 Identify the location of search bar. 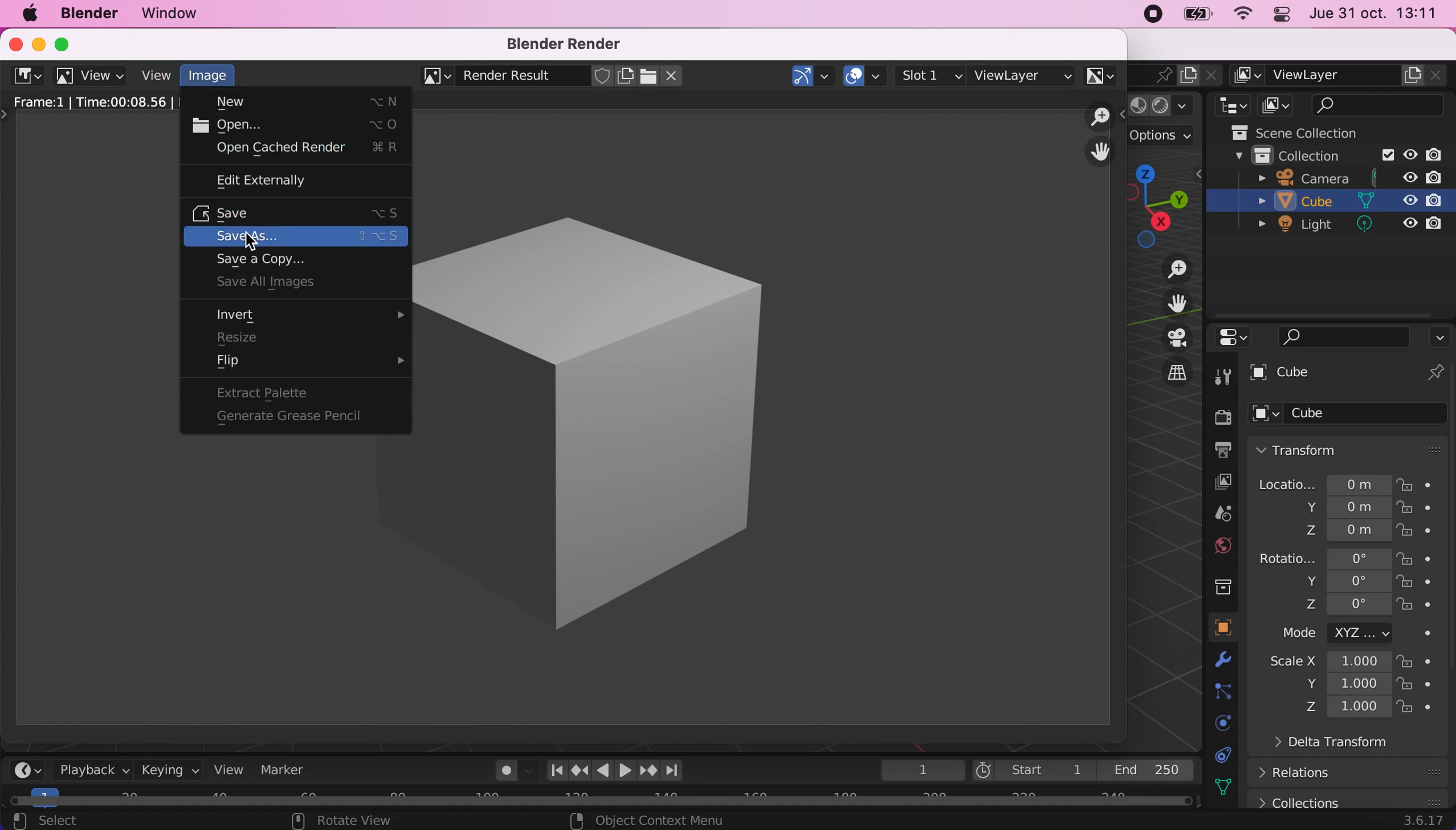
(1335, 337).